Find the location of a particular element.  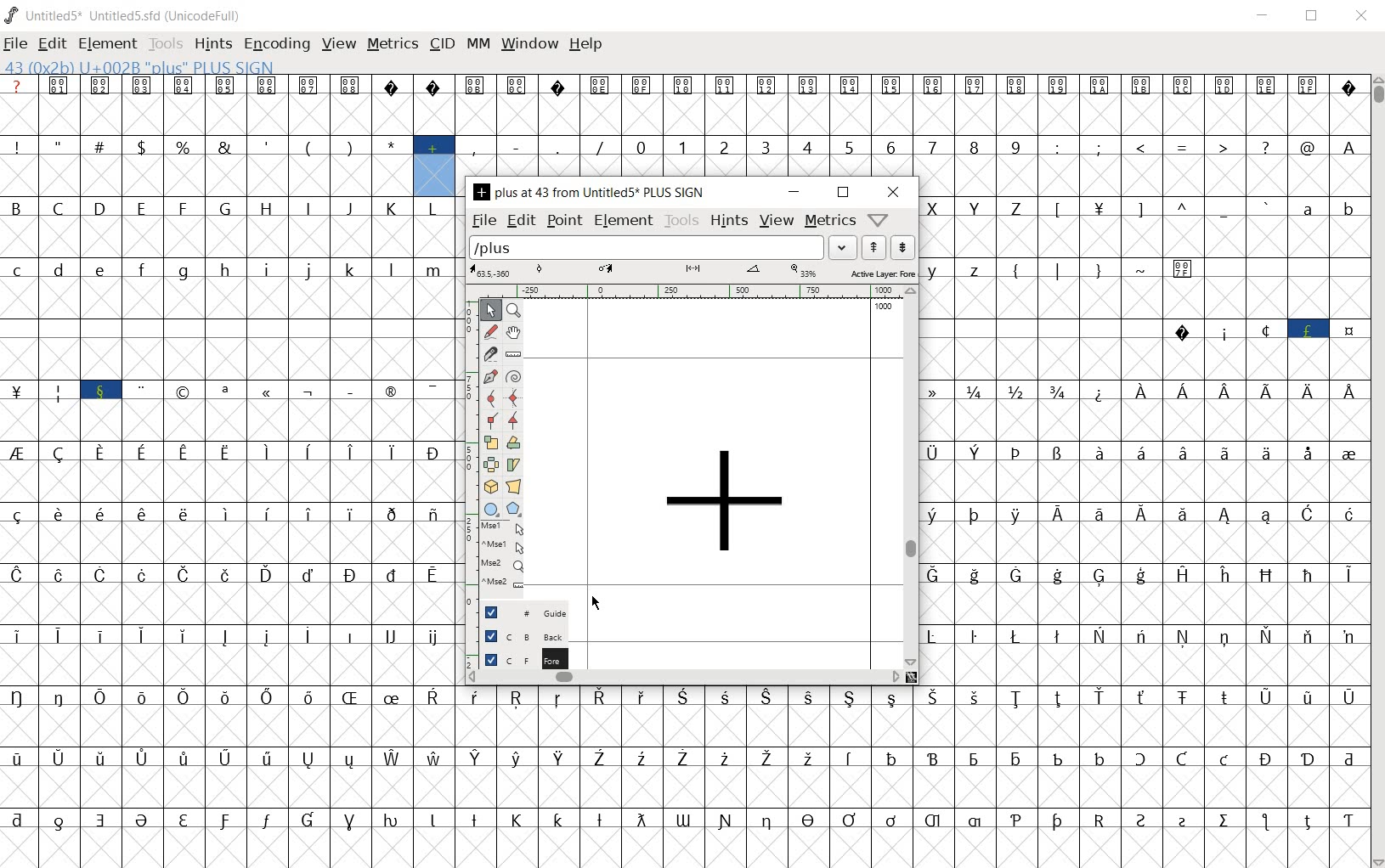

MAGNIFY is located at coordinates (514, 312).